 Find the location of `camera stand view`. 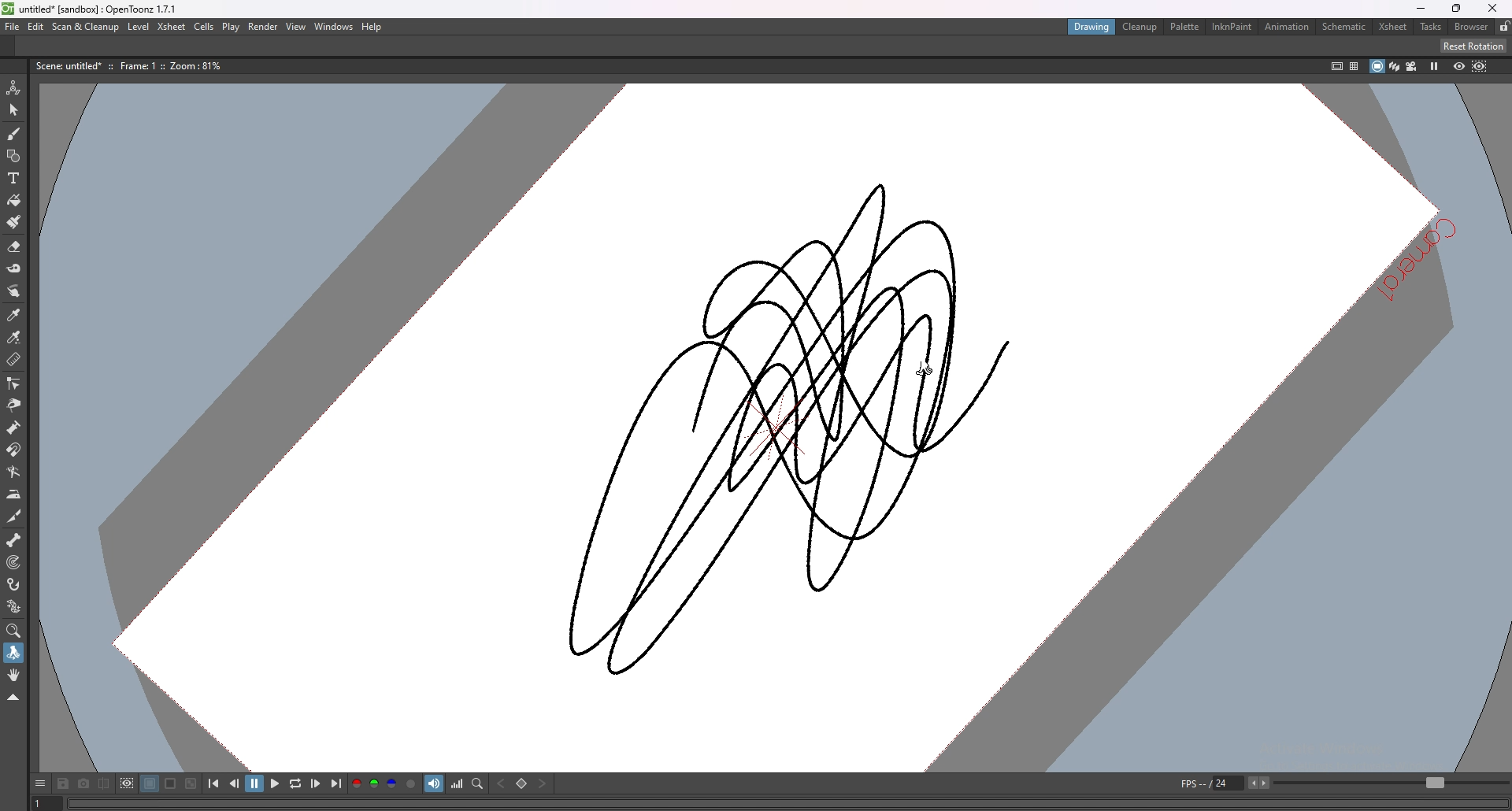

camera stand view is located at coordinates (1376, 66).